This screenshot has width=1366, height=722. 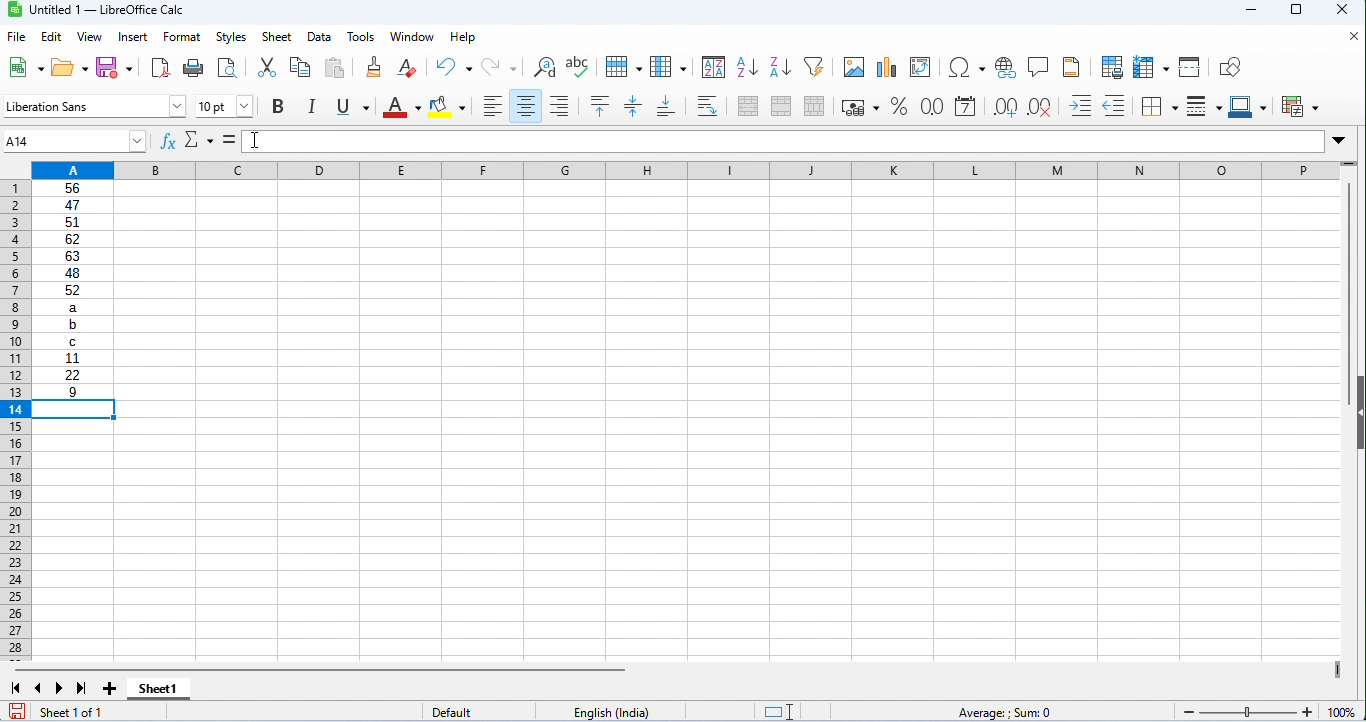 I want to click on format as date, so click(x=966, y=106).